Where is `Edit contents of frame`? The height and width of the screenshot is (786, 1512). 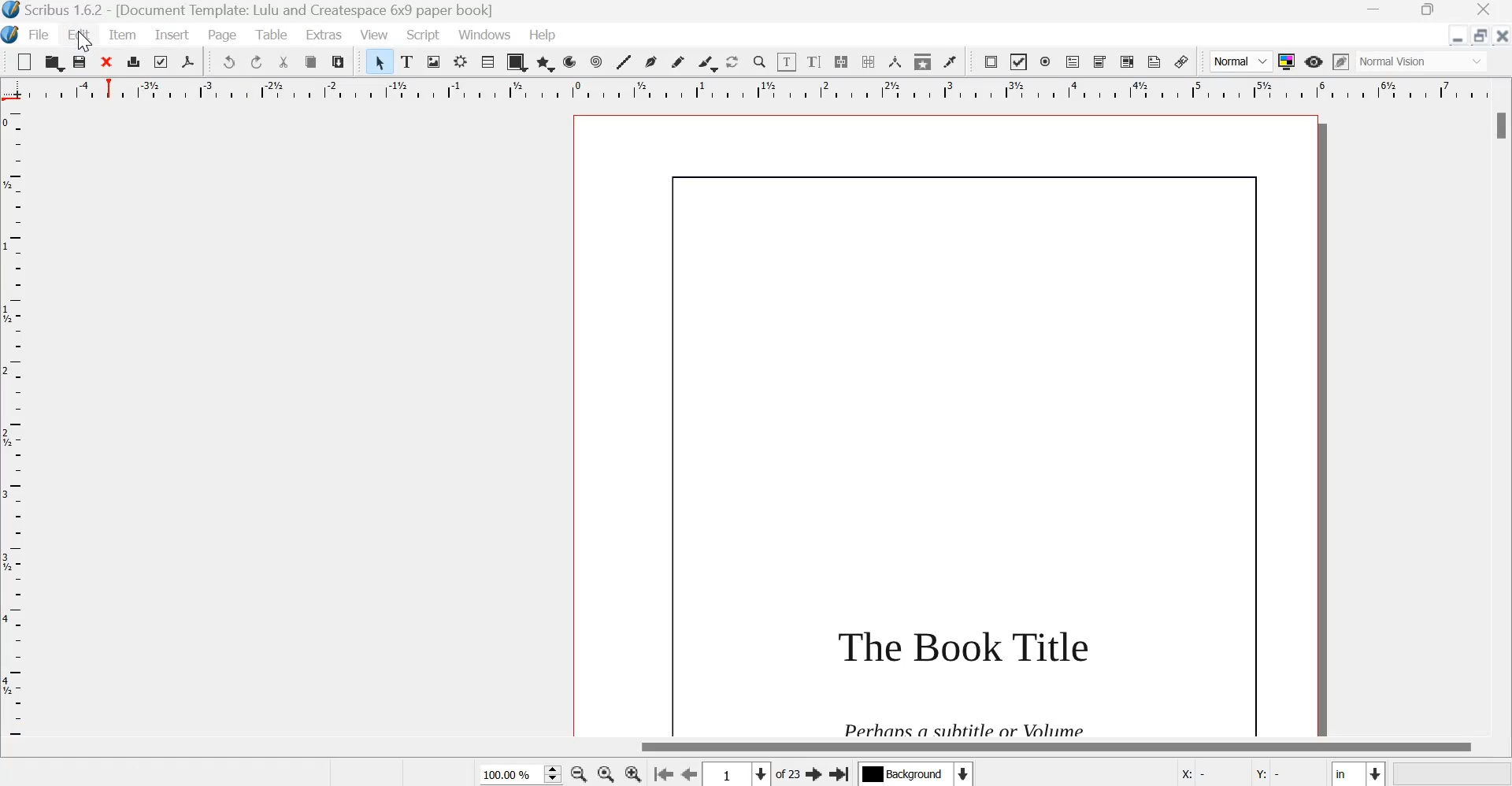 Edit contents of frame is located at coordinates (786, 61).